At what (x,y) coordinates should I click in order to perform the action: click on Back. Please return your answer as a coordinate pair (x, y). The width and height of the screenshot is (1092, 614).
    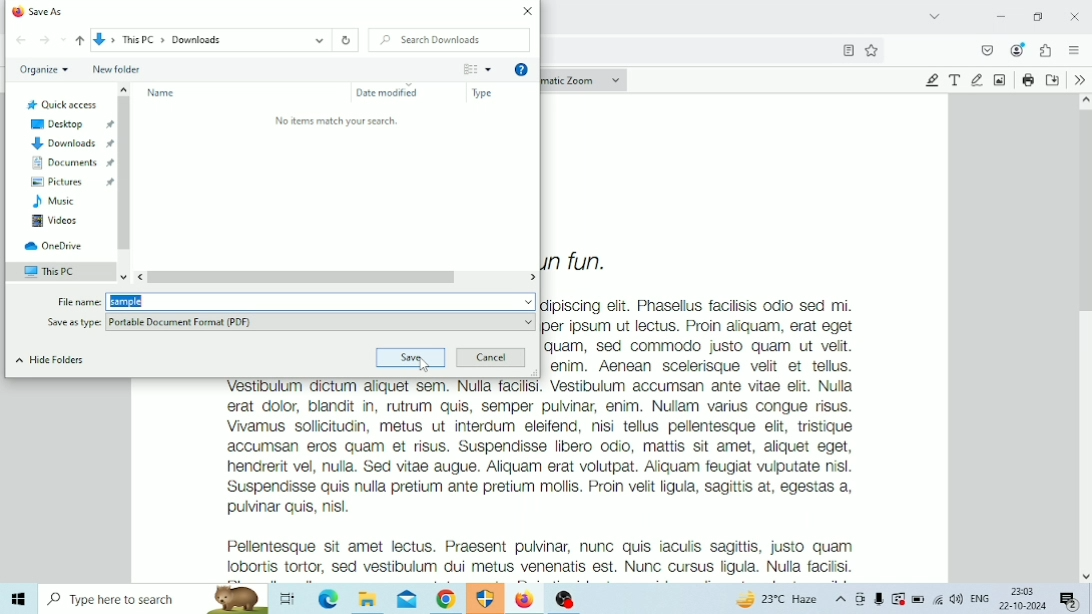
    Looking at the image, I should click on (21, 39).